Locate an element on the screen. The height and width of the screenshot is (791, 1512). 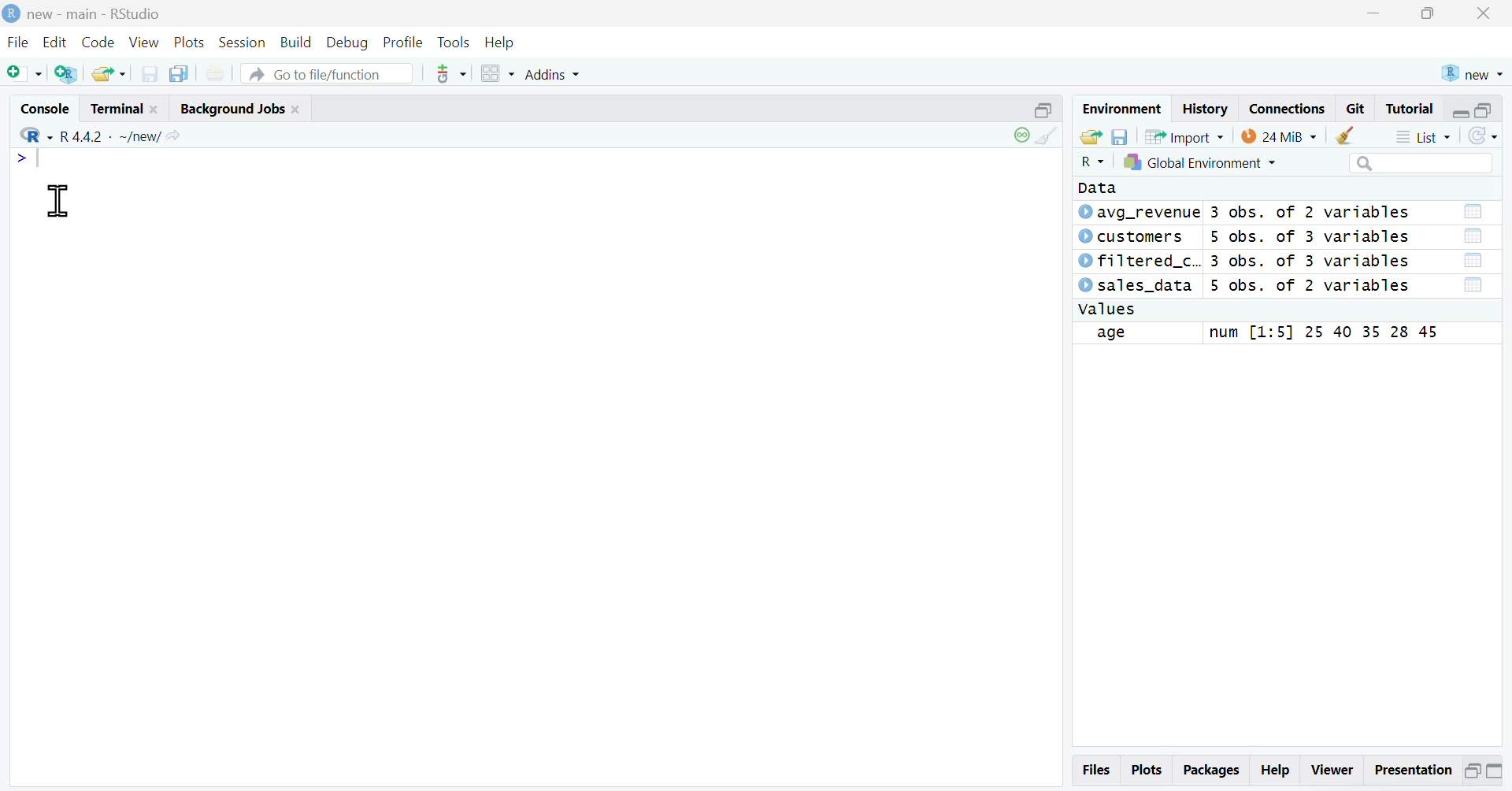
Refresh is located at coordinates (1482, 136).